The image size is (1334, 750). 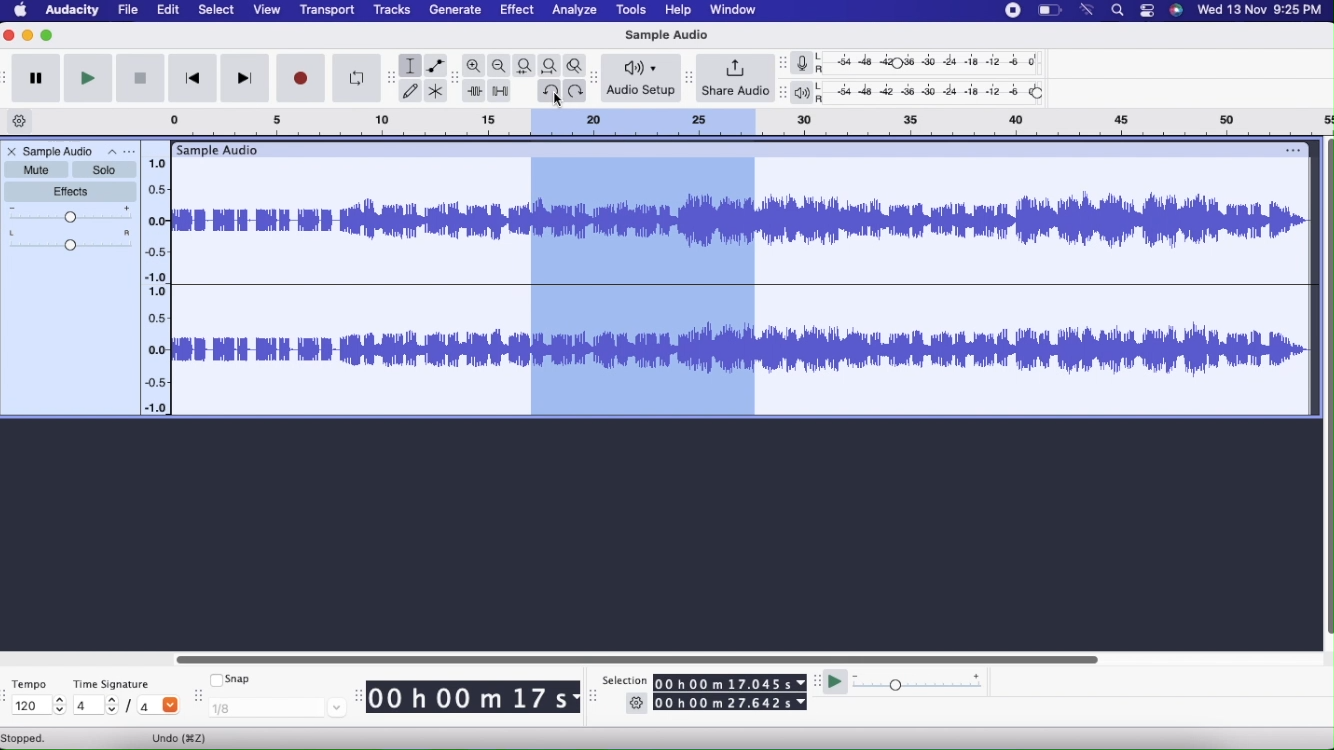 I want to click on sample audio, so click(x=218, y=151).